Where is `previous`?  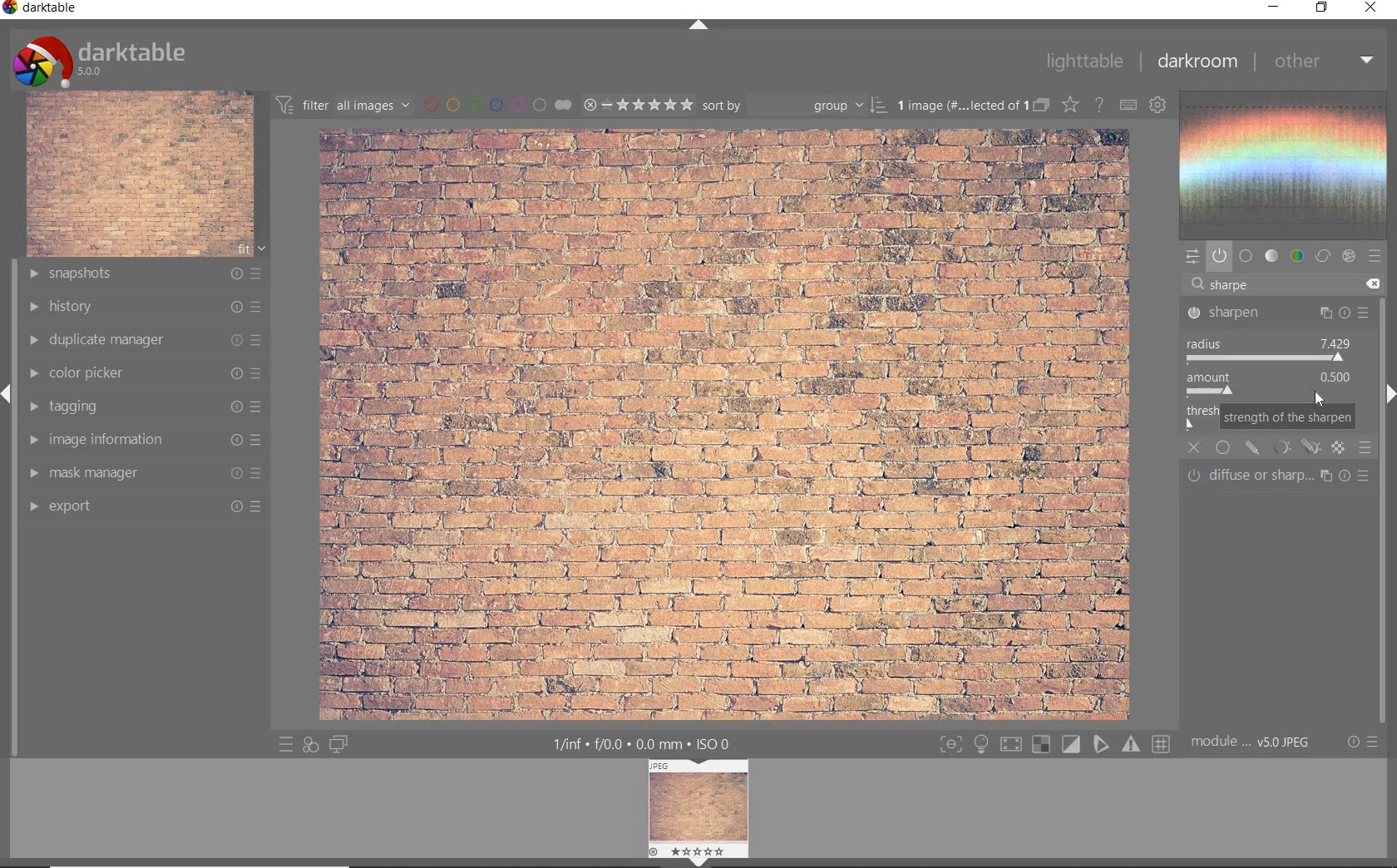 previous is located at coordinates (8, 402).